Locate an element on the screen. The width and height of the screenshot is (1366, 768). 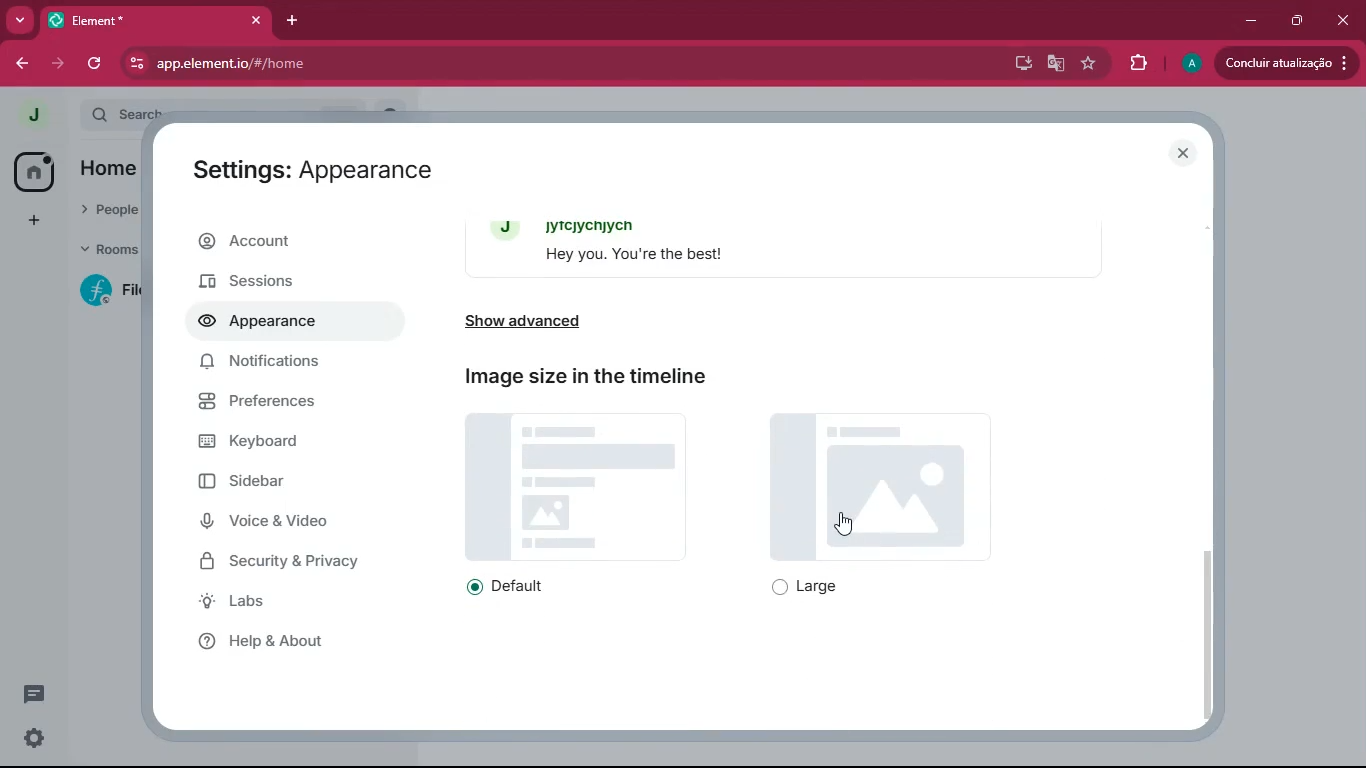
add tab is located at coordinates (297, 23).